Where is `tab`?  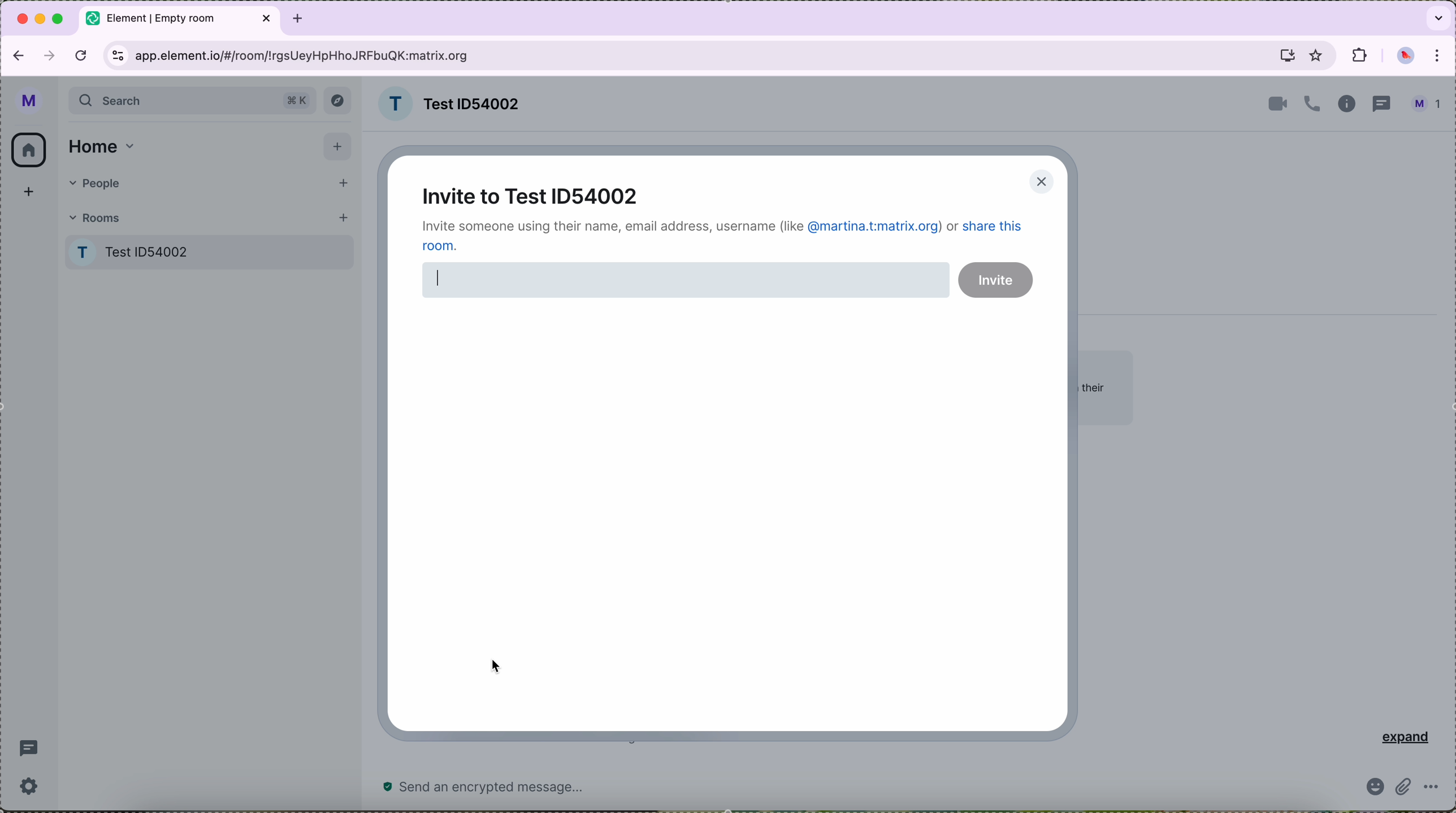 tab is located at coordinates (181, 19).